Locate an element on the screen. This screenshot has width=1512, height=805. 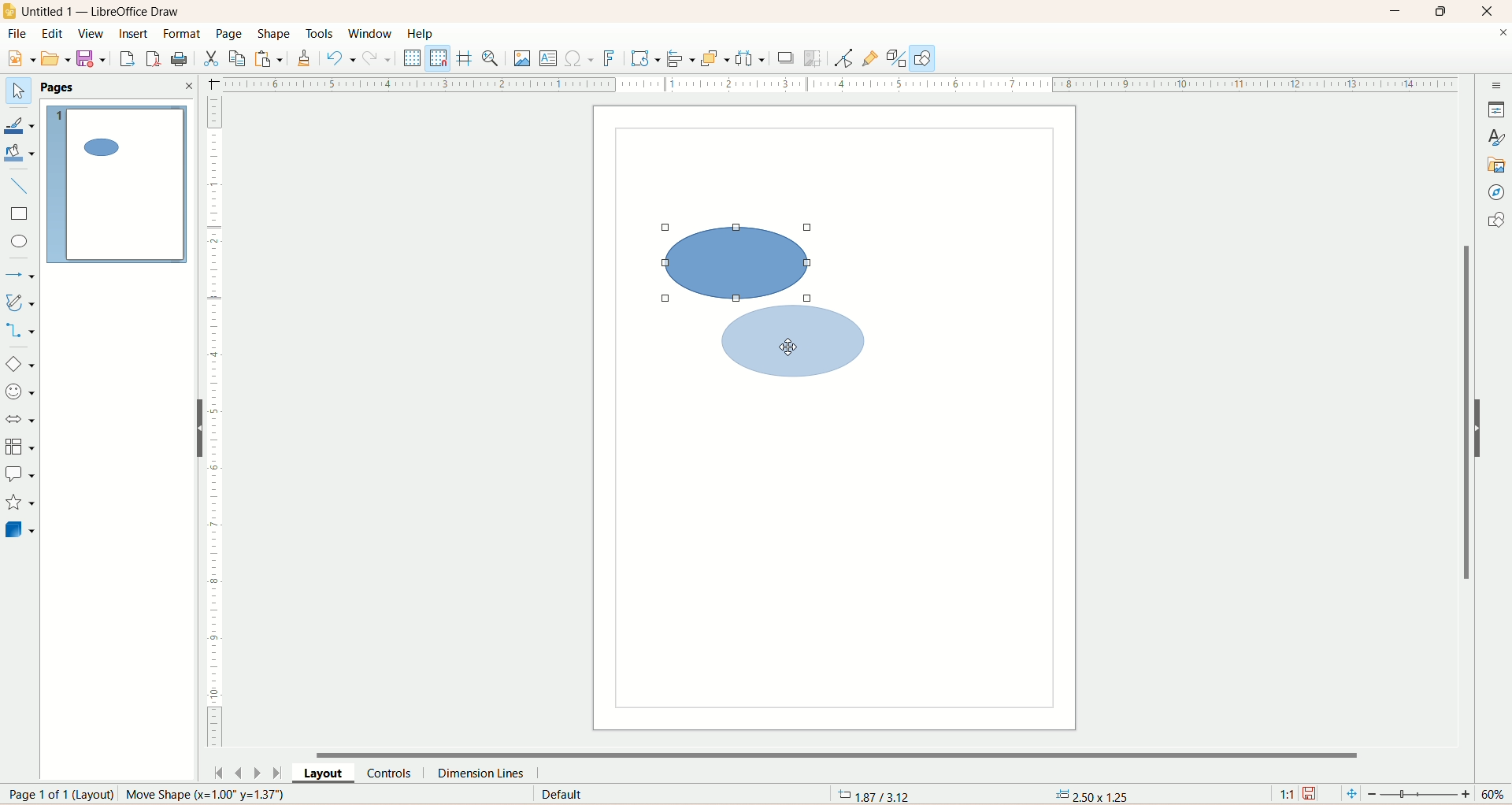
style is located at coordinates (1496, 135).